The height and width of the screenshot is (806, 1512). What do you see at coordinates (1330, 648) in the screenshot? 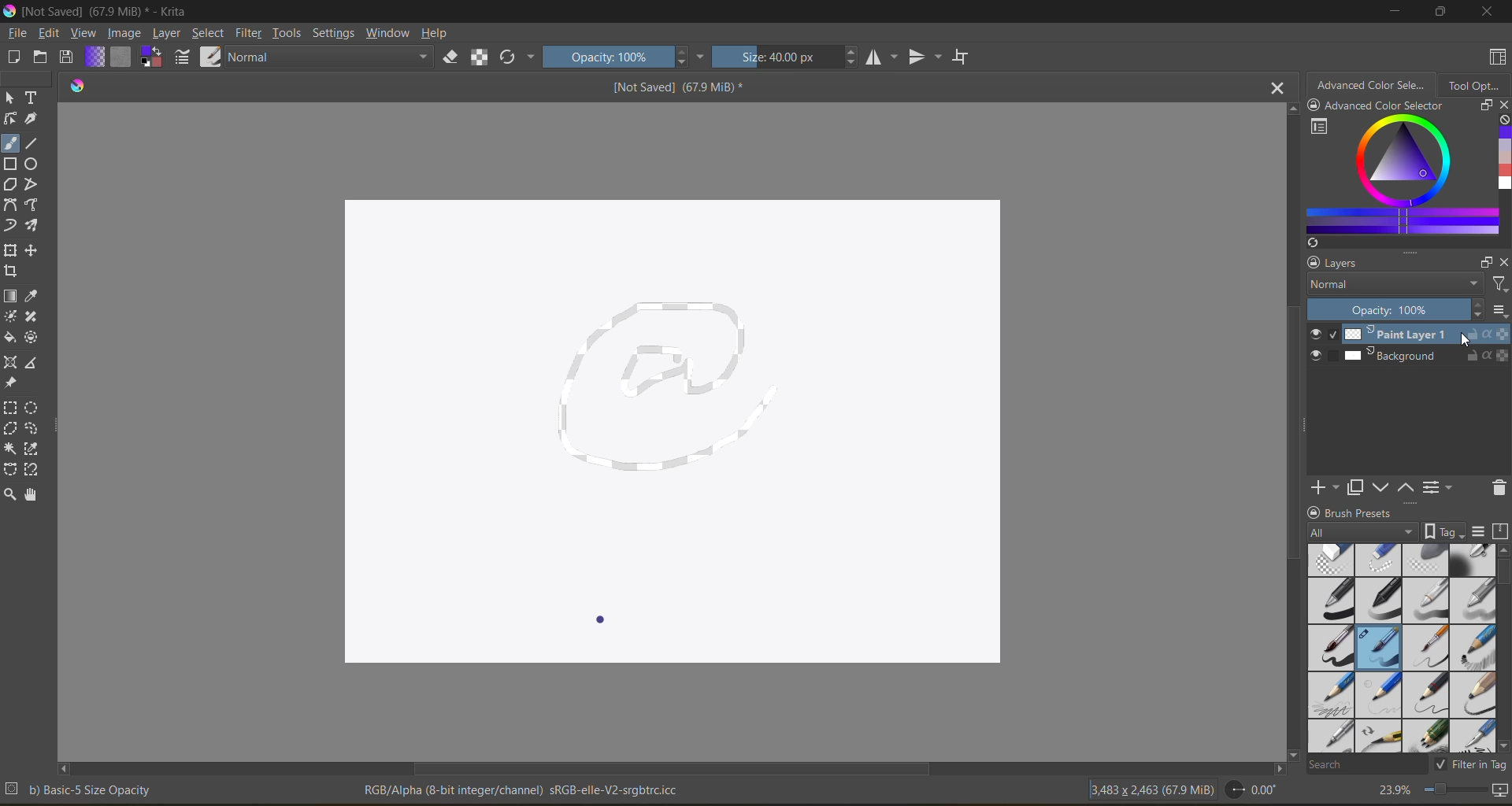
I see `black brush` at bounding box center [1330, 648].